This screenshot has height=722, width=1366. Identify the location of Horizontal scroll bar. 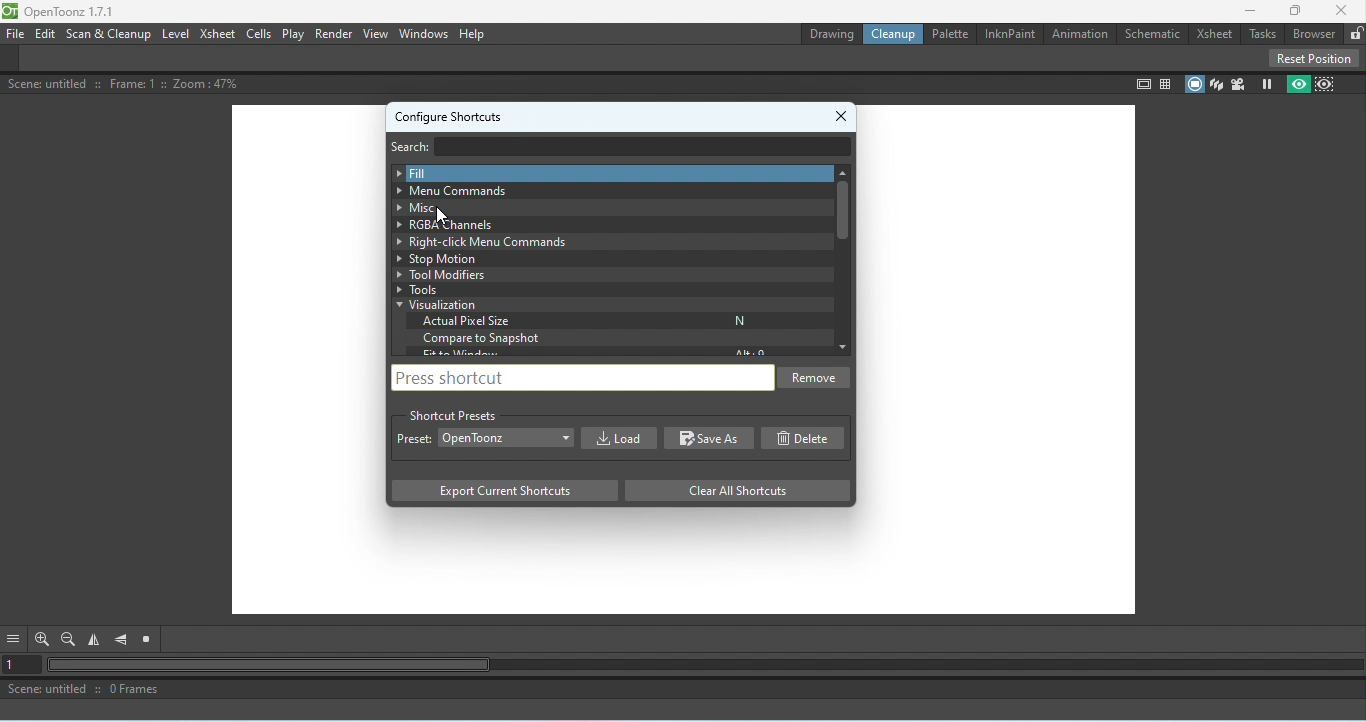
(705, 666).